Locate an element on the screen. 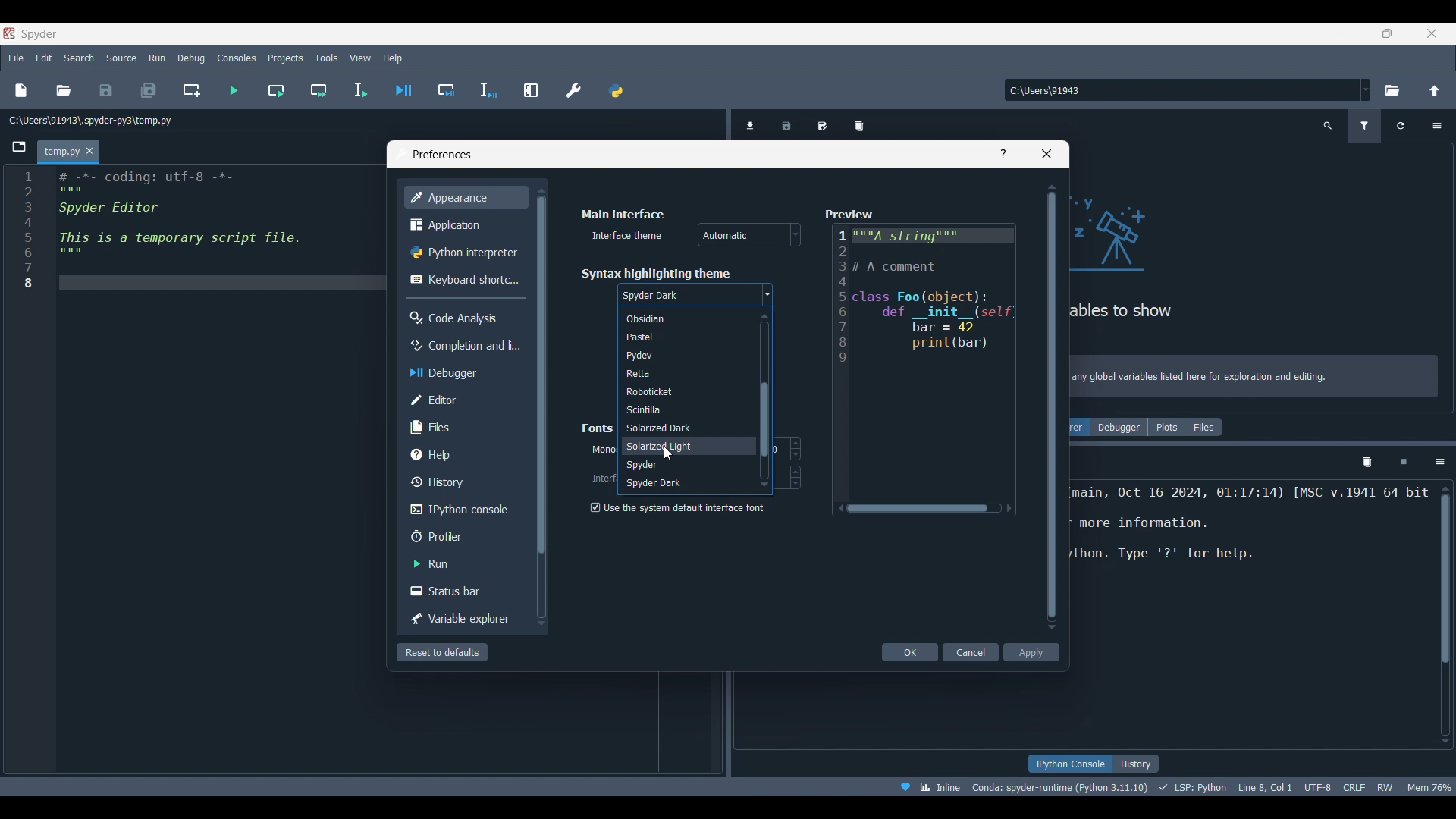  Indicates interface theme is located at coordinates (628, 235).